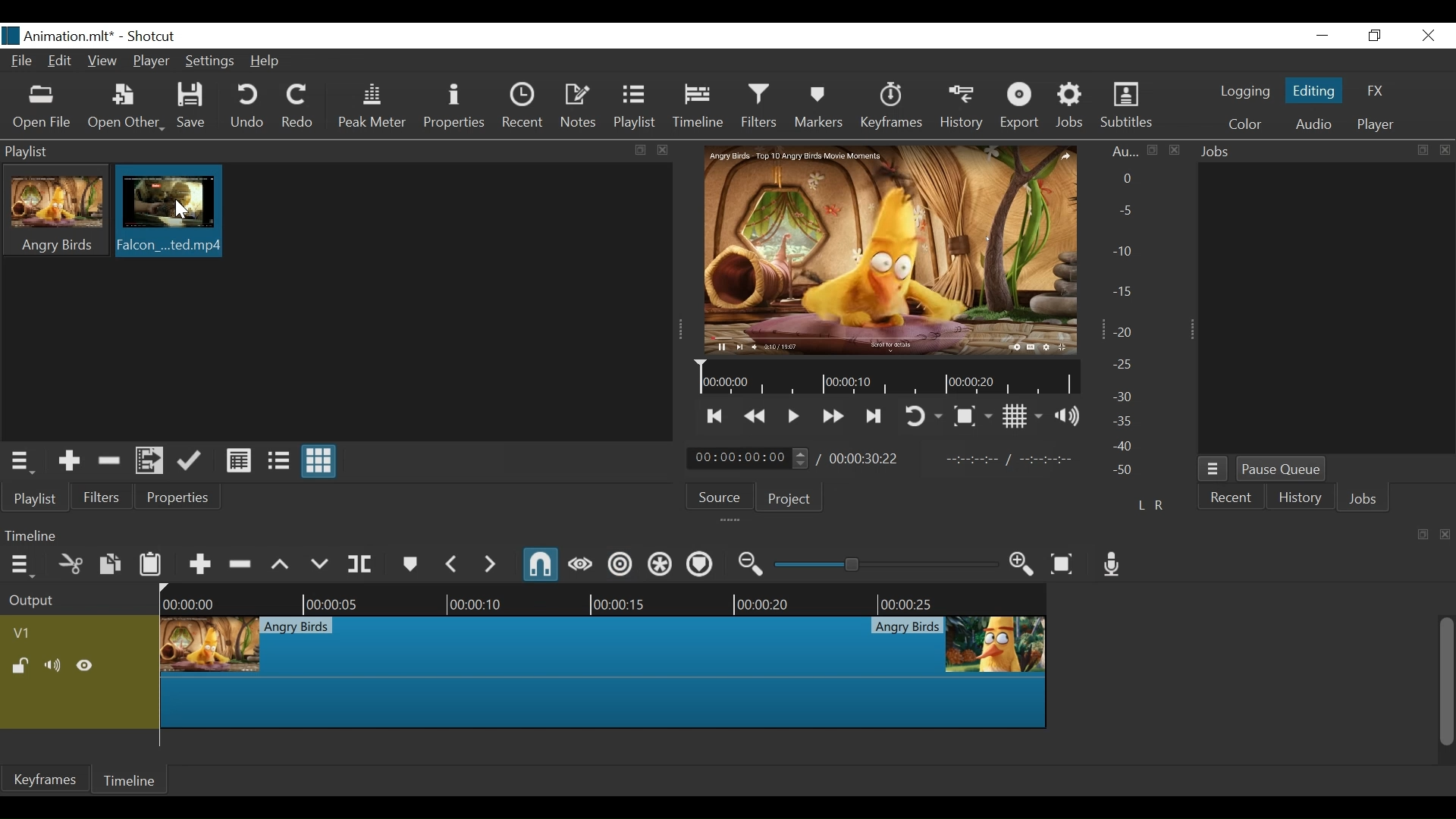 The image size is (1456, 819). What do you see at coordinates (621, 565) in the screenshot?
I see `Ripple ` at bounding box center [621, 565].